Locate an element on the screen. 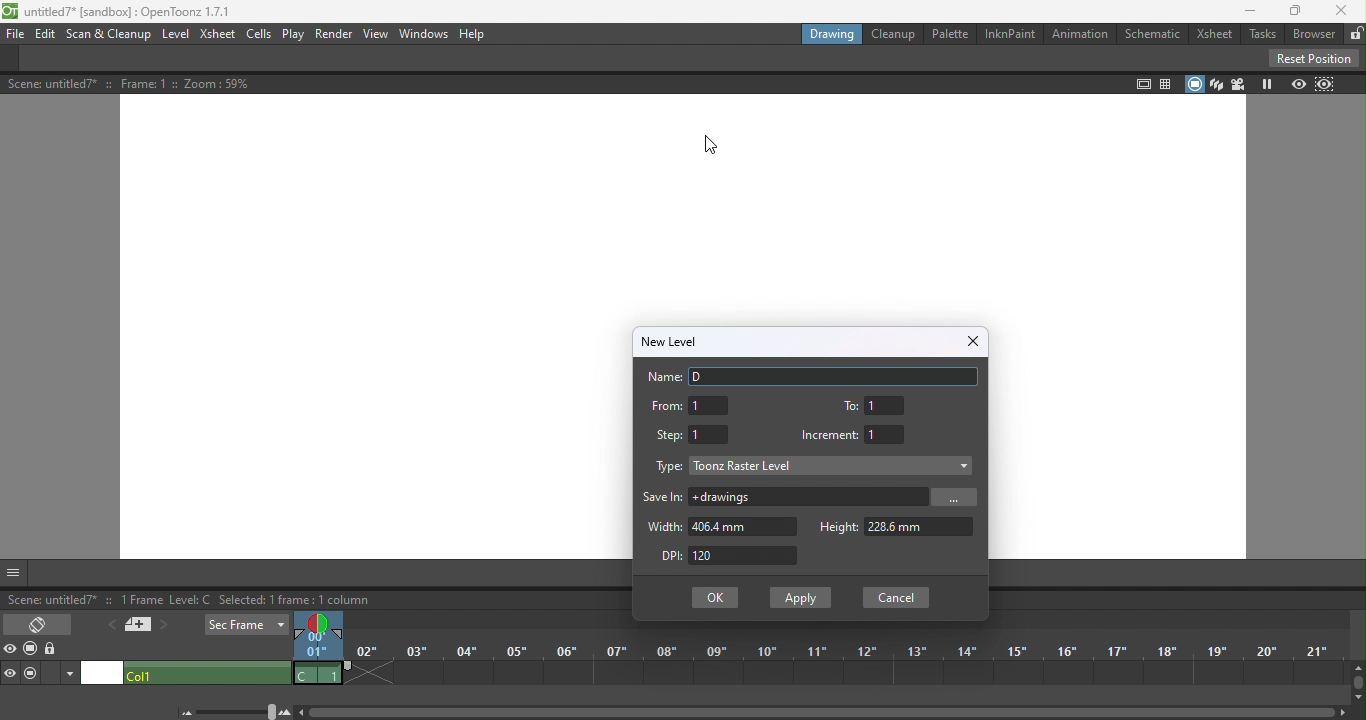  Click to select column is located at coordinates (206, 673).